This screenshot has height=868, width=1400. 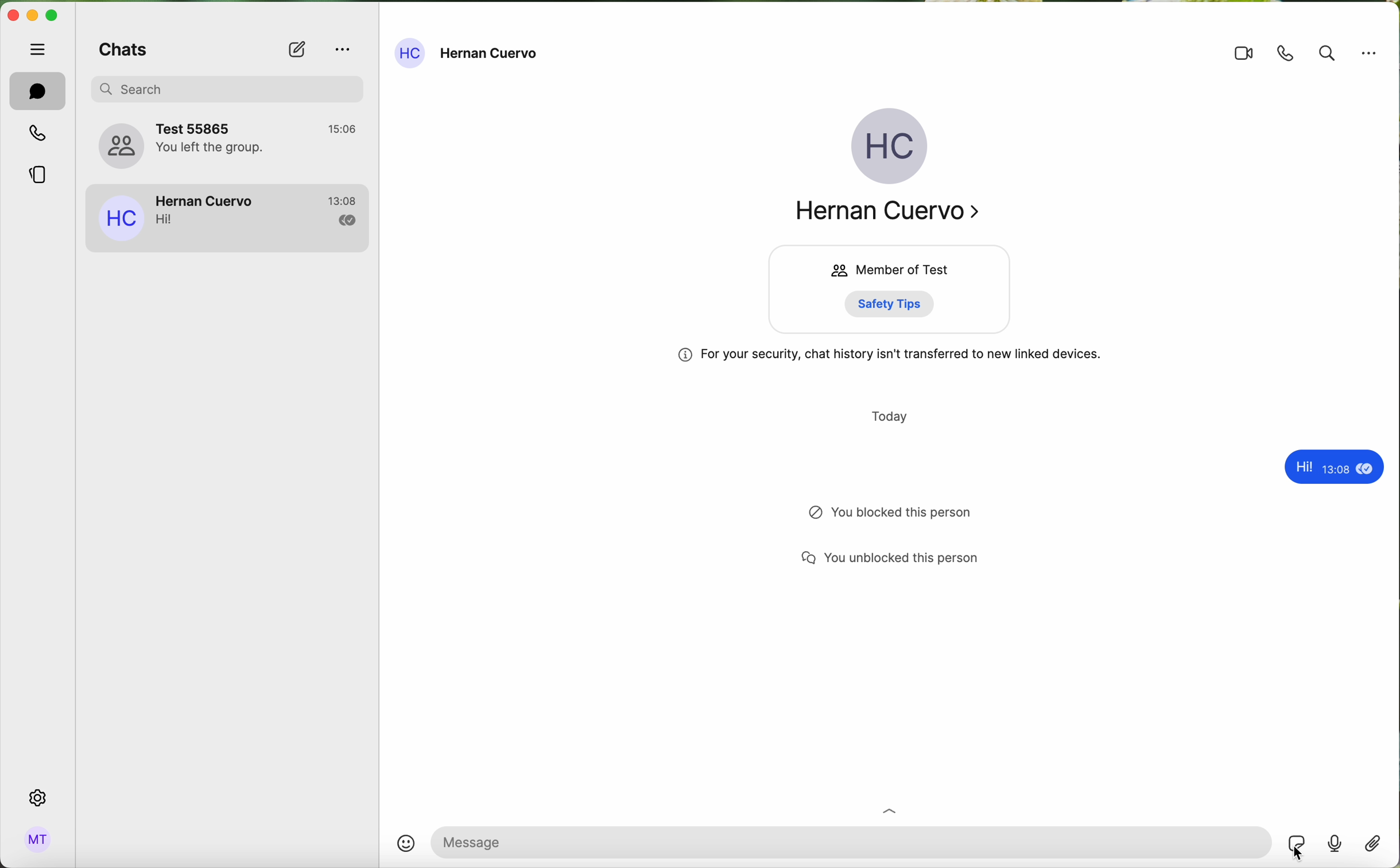 What do you see at coordinates (1330, 468) in the screenshot?
I see `message` at bounding box center [1330, 468].